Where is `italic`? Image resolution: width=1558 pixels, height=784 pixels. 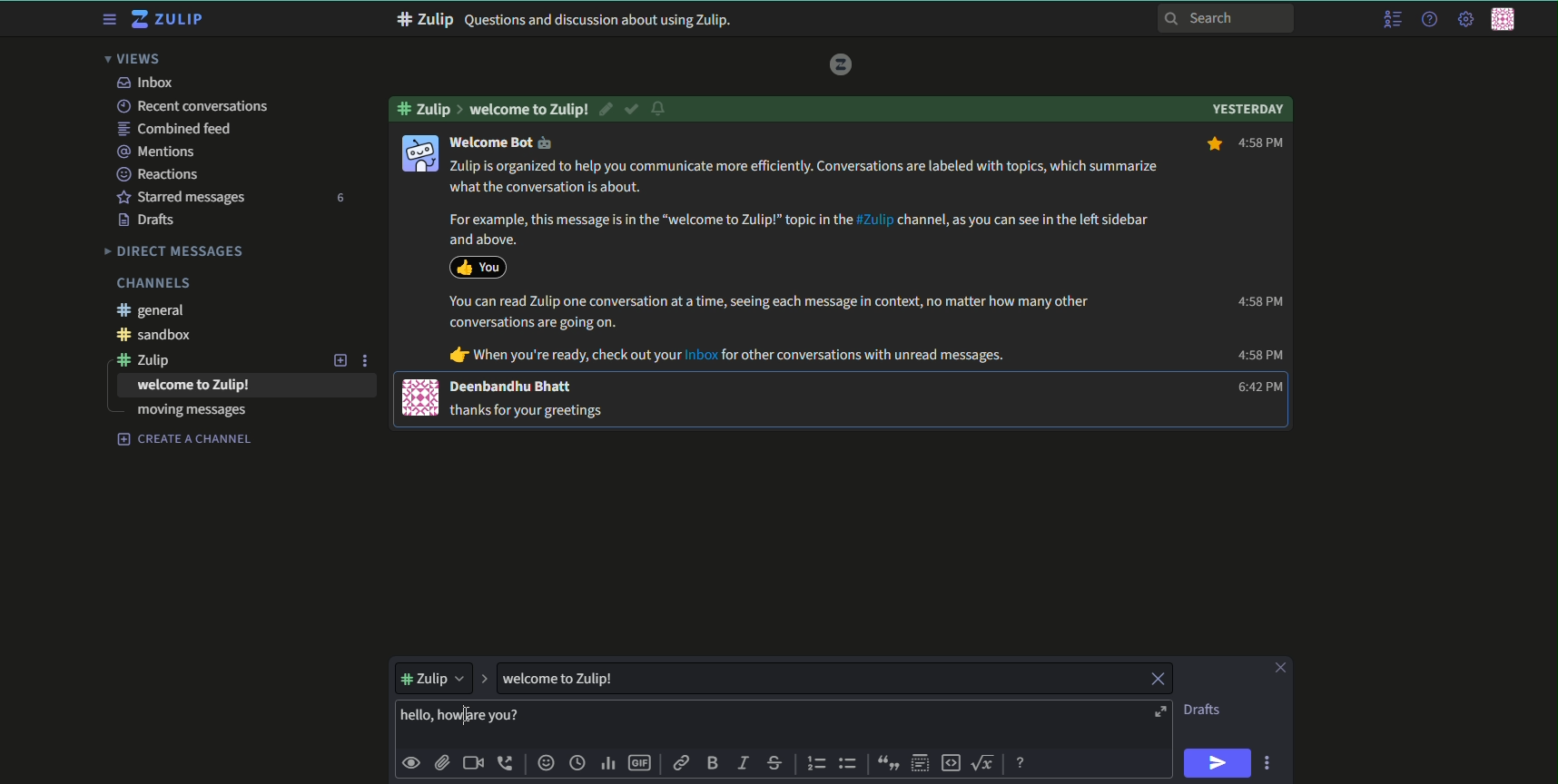
italic is located at coordinates (742, 765).